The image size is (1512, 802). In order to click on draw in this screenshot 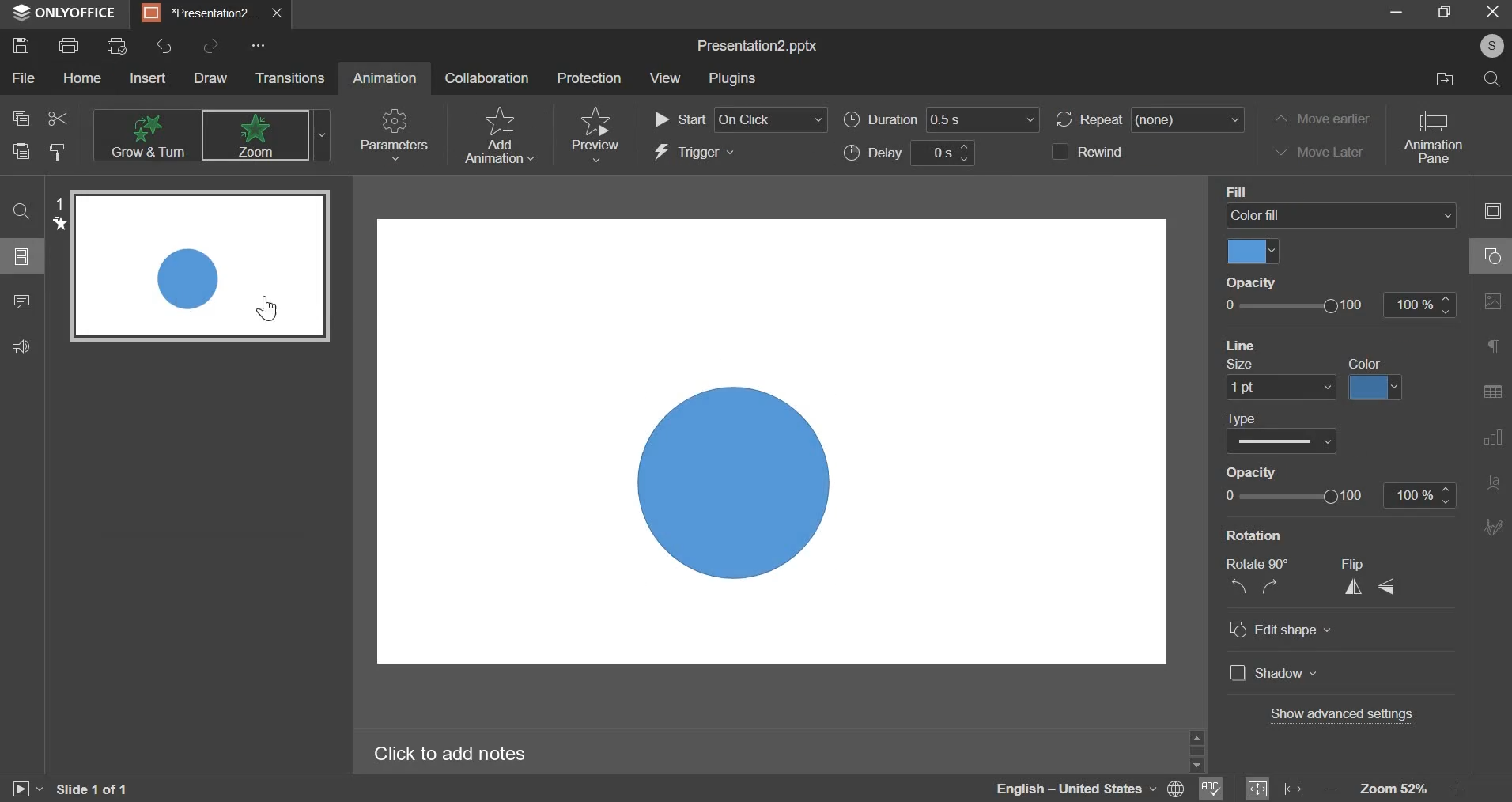, I will do `click(212, 78)`.